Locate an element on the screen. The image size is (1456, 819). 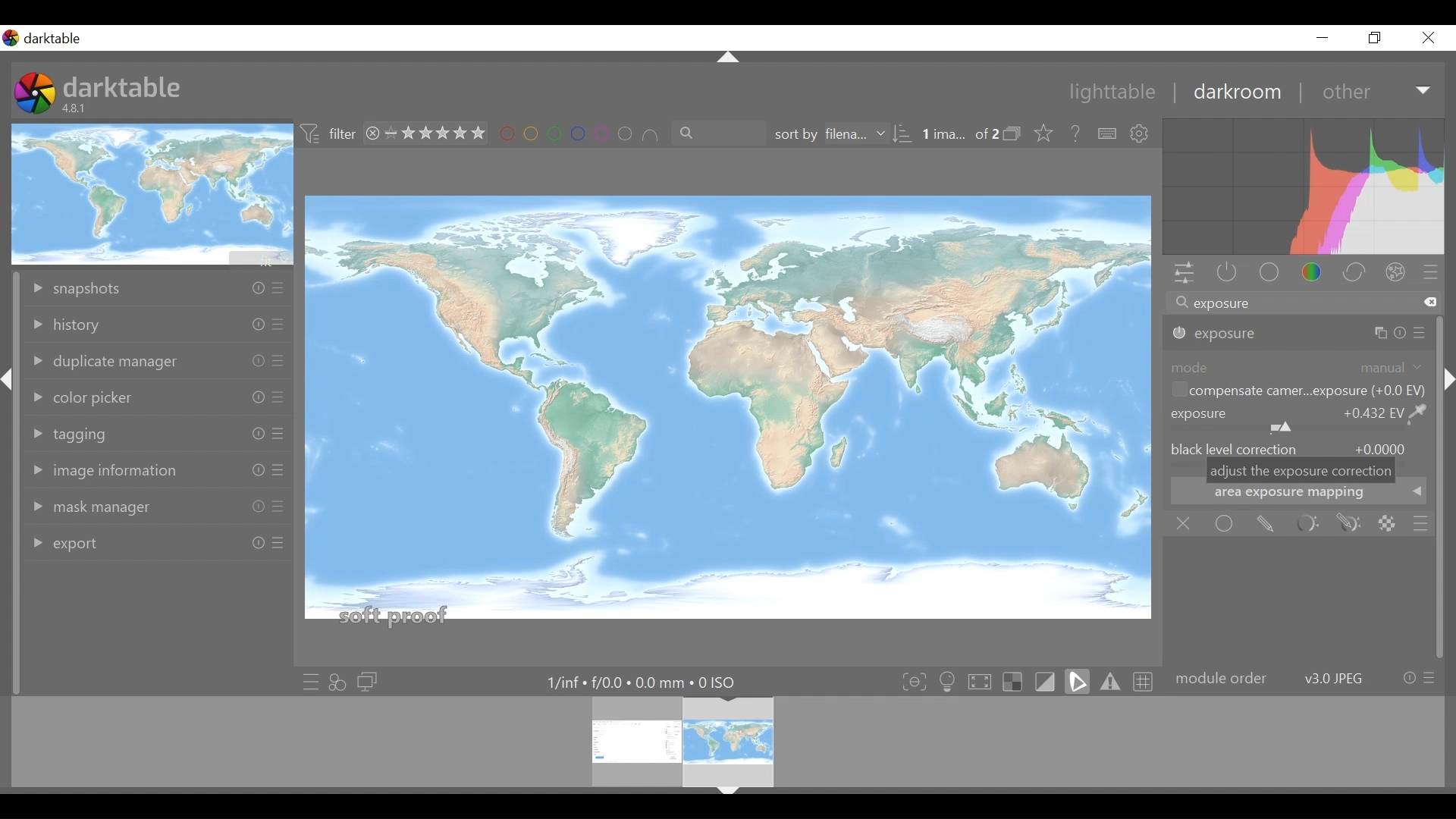
toggle clipping indication is located at coordinates (1047, 681).